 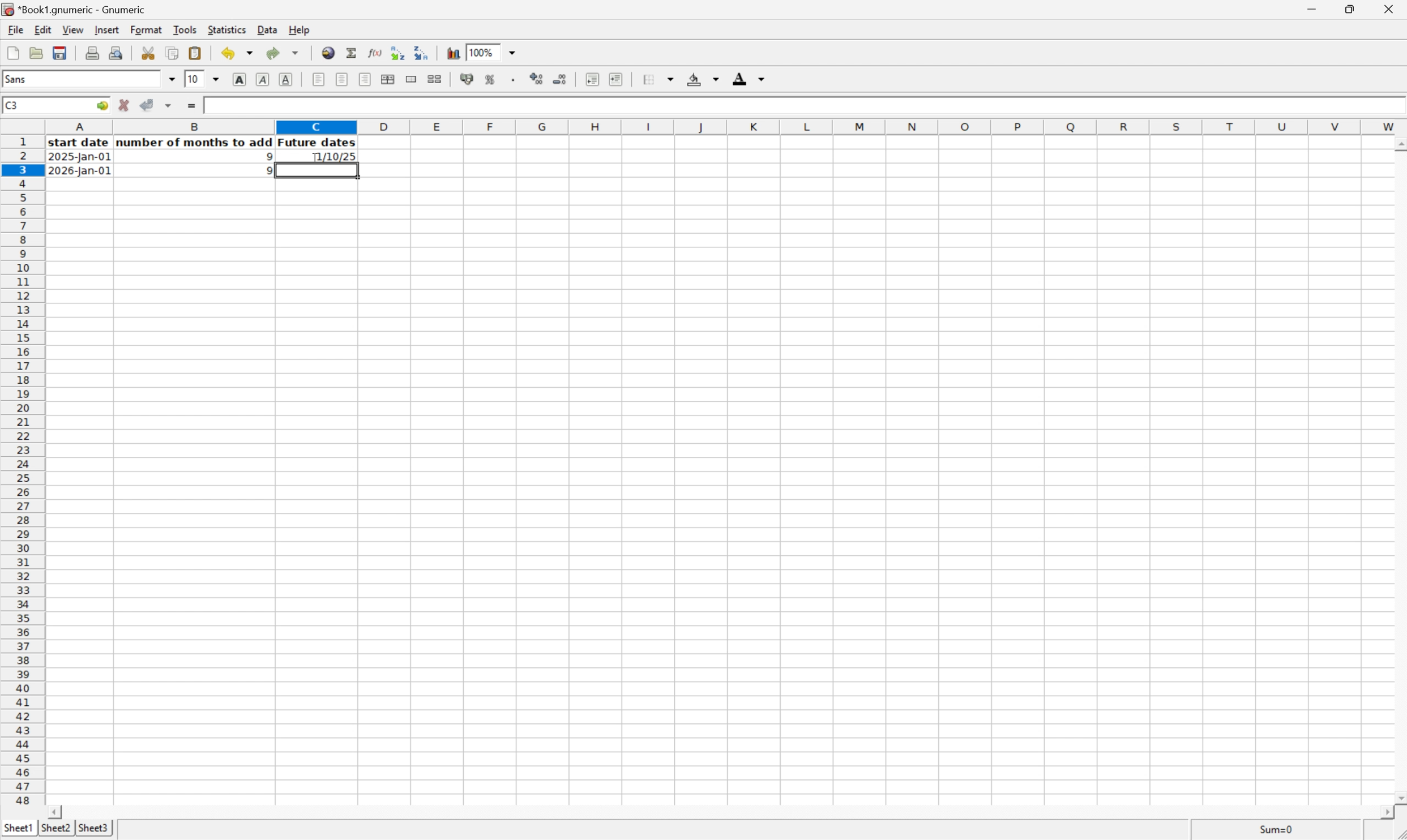 What do you see at coordinates (242, 106) in the screenshot?
I see `=EDATE(A2, B2)` at bounding box center [242, 106].